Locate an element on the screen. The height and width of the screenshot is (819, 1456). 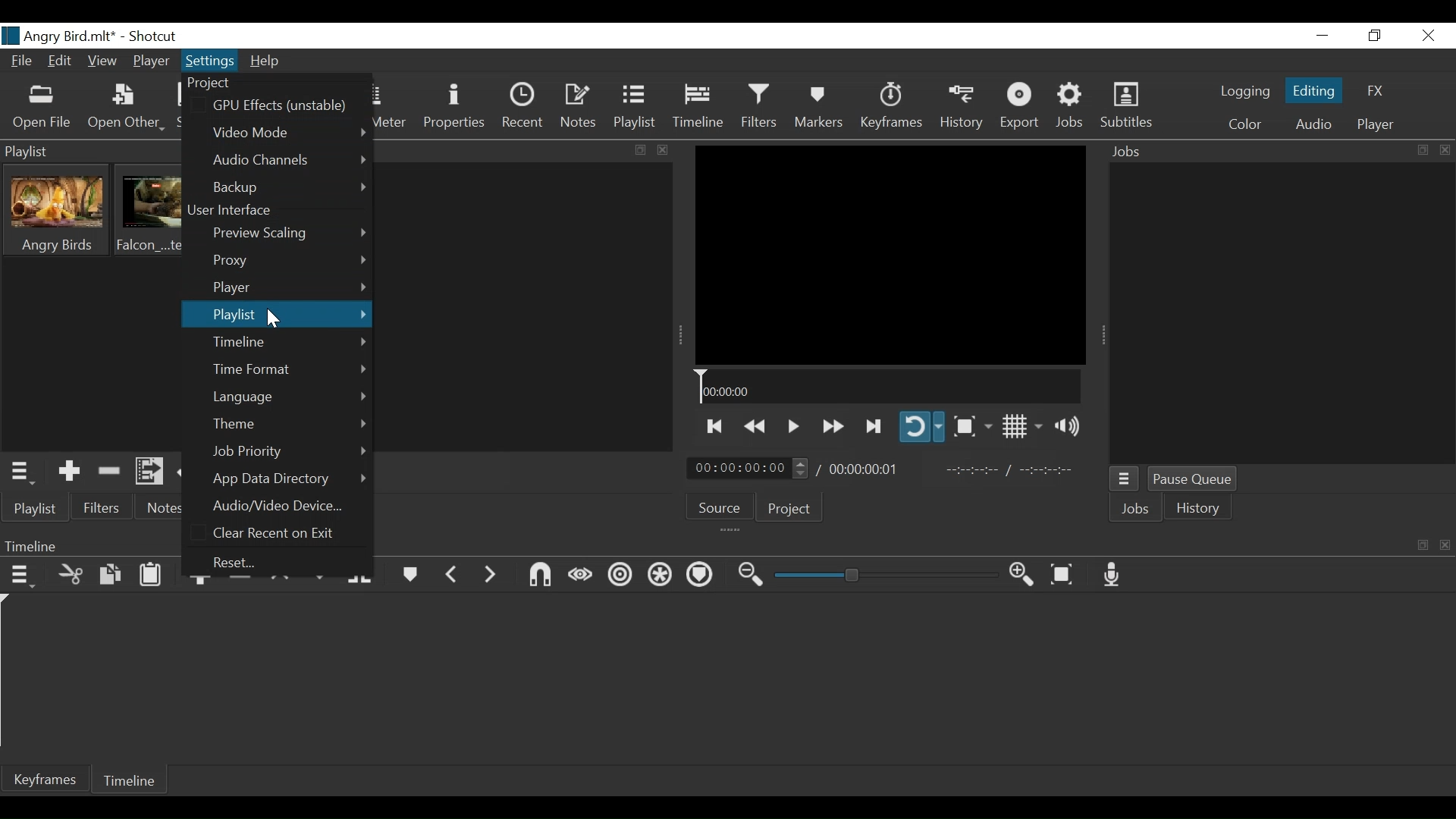
Theme is located at coordinates (288, 425).